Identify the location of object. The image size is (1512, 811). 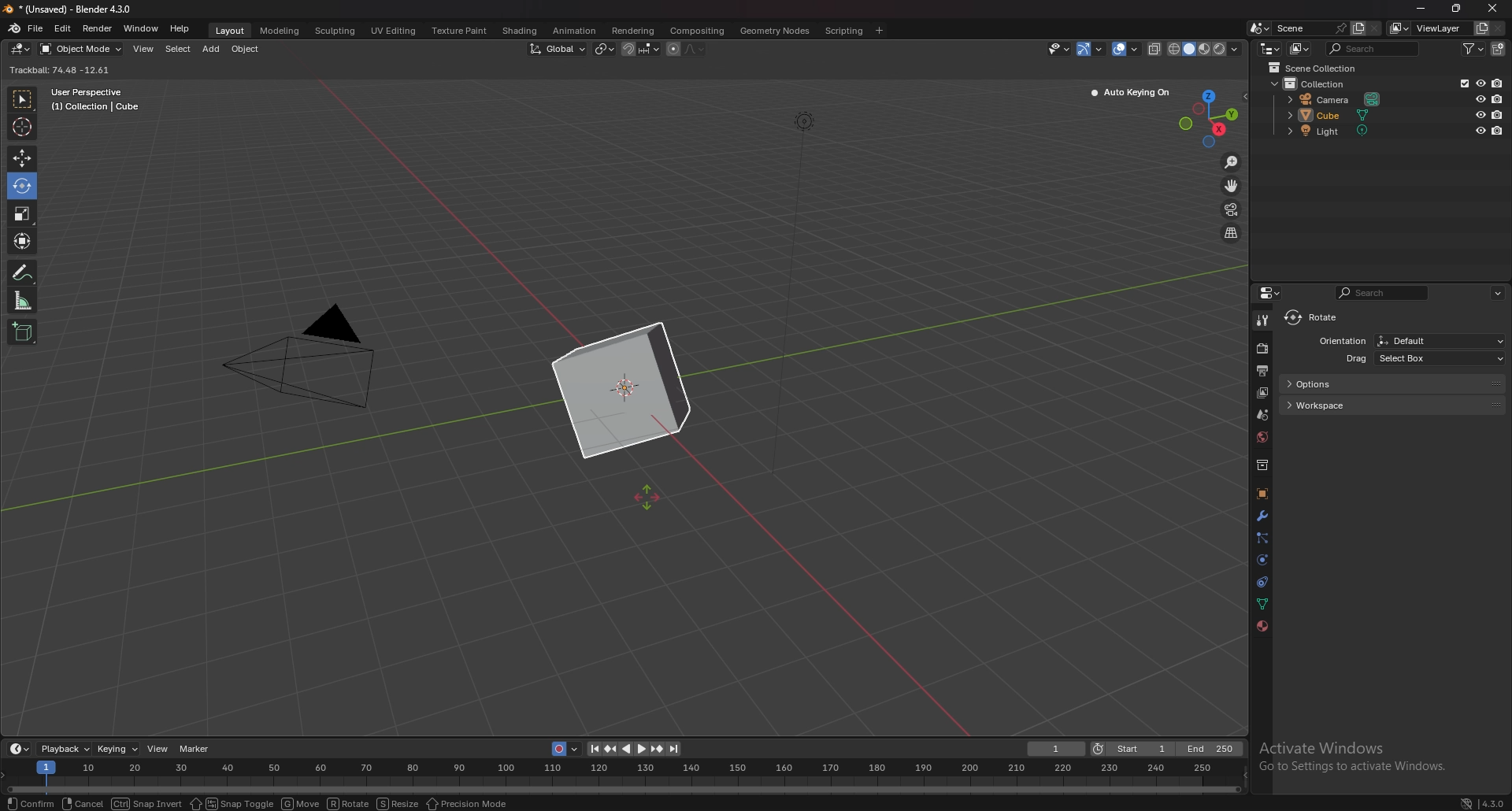
(1262, 494).